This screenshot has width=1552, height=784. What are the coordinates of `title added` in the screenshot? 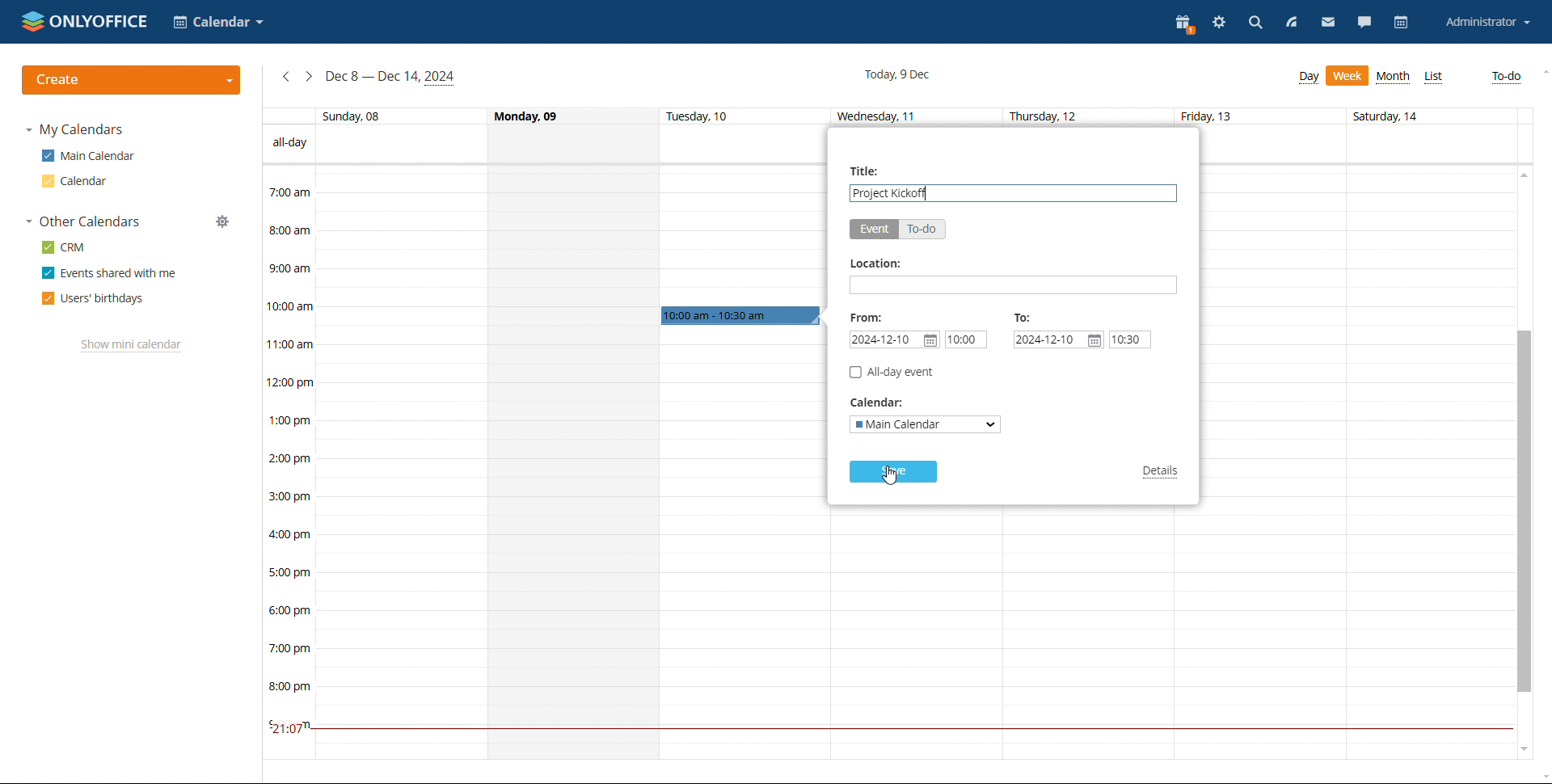 It's located at (892, 193).